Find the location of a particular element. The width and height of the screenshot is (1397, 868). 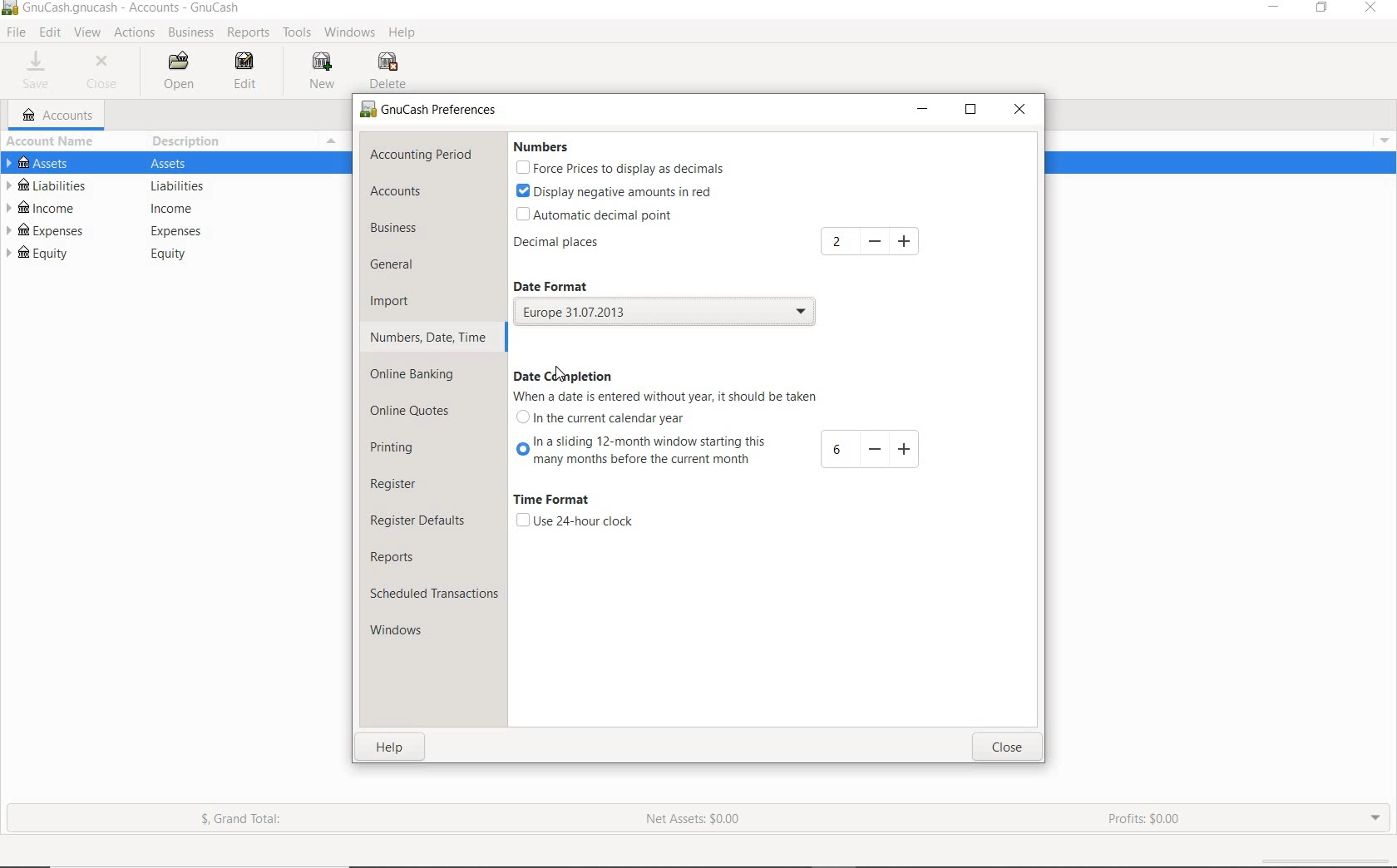

EDIT is located at coordinates (247, 72).